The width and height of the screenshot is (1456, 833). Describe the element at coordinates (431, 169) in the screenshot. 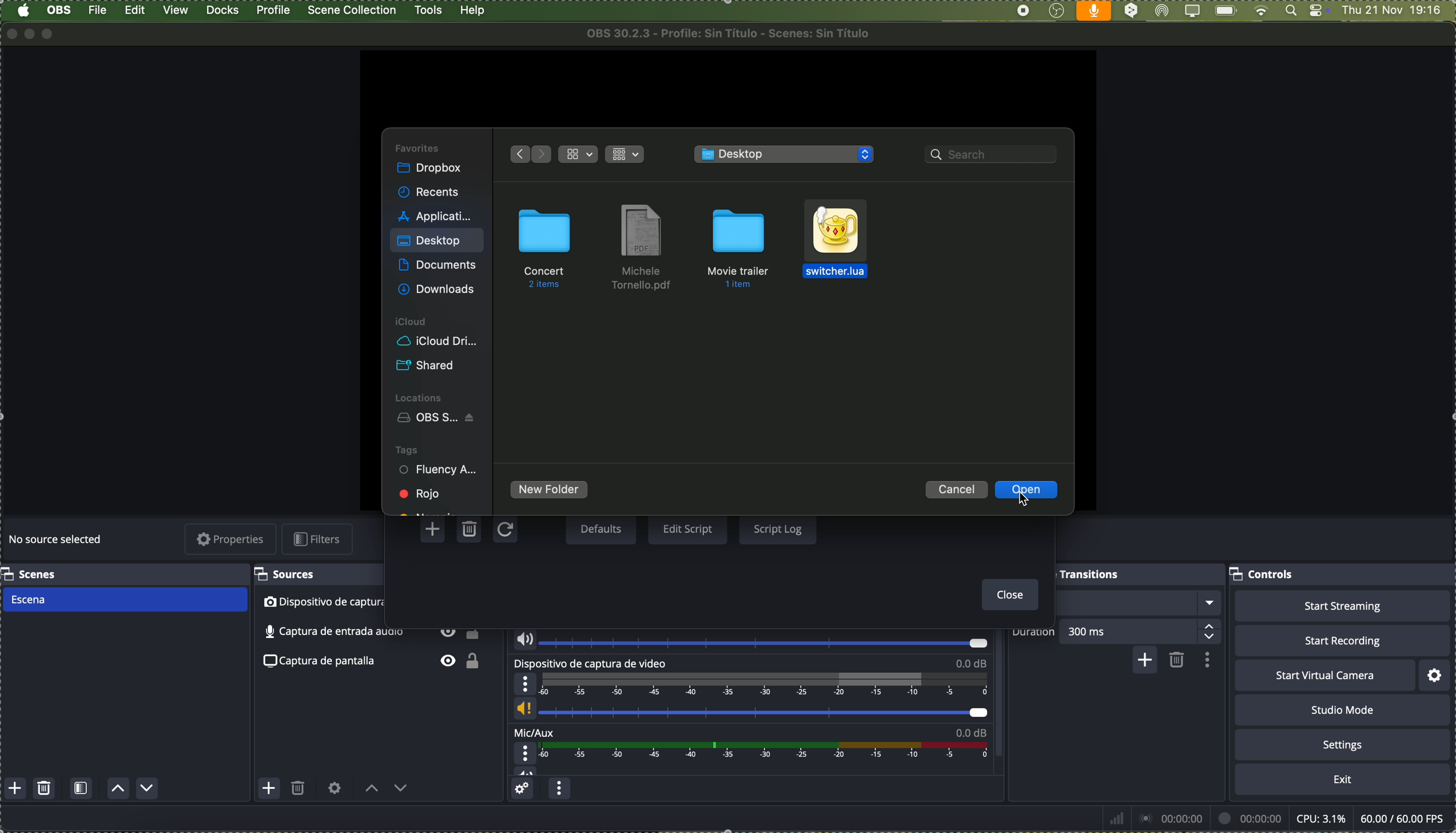

I see `dropbox` at that location.